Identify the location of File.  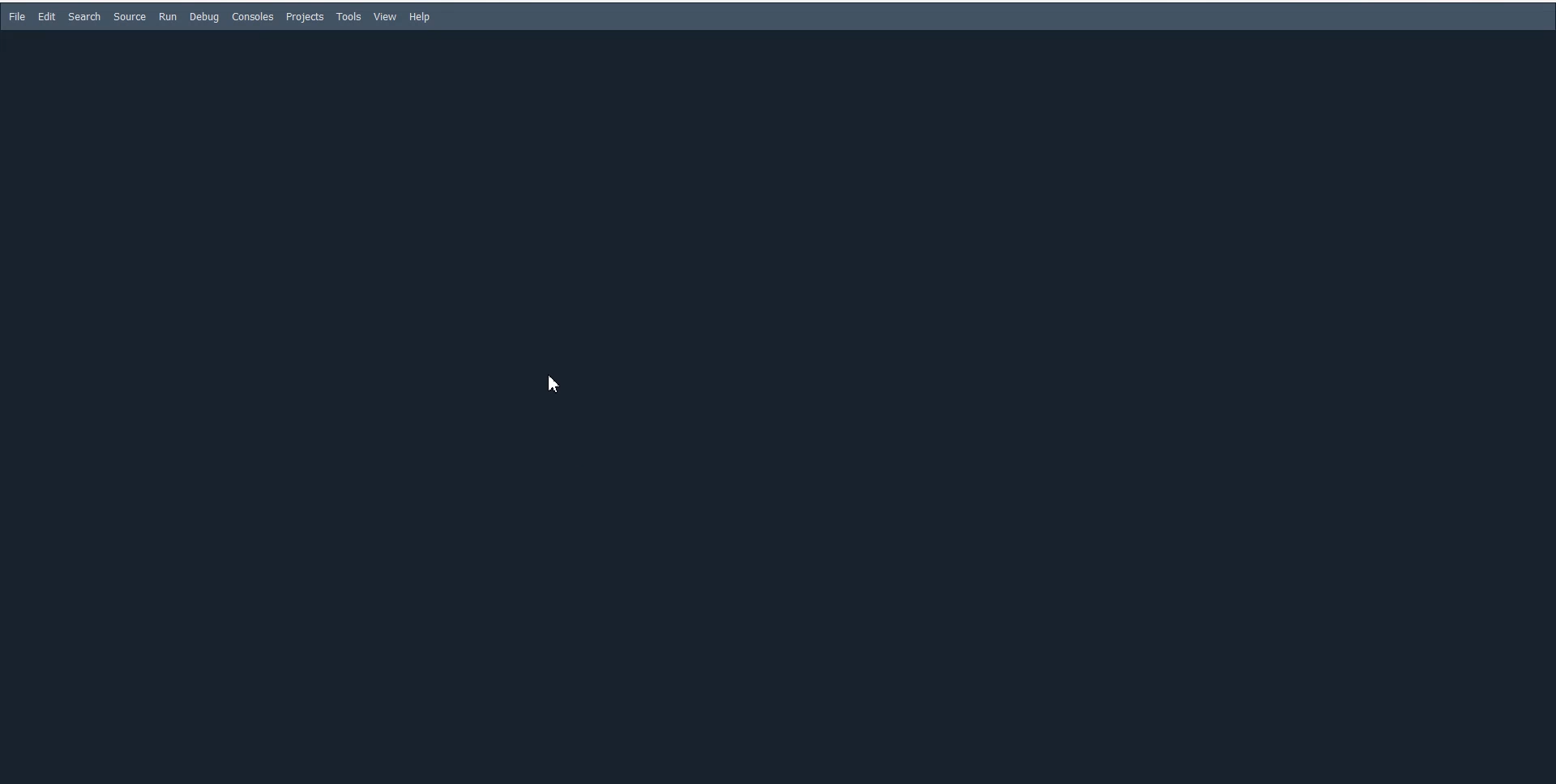
(16, 16).